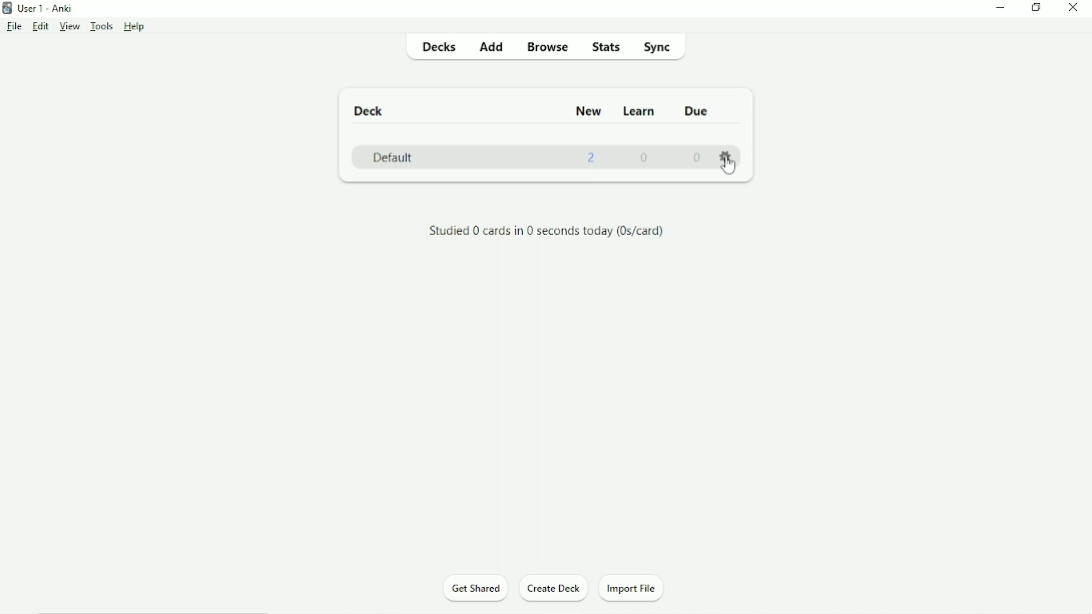  I want to click on Stats, so click(605, 47).